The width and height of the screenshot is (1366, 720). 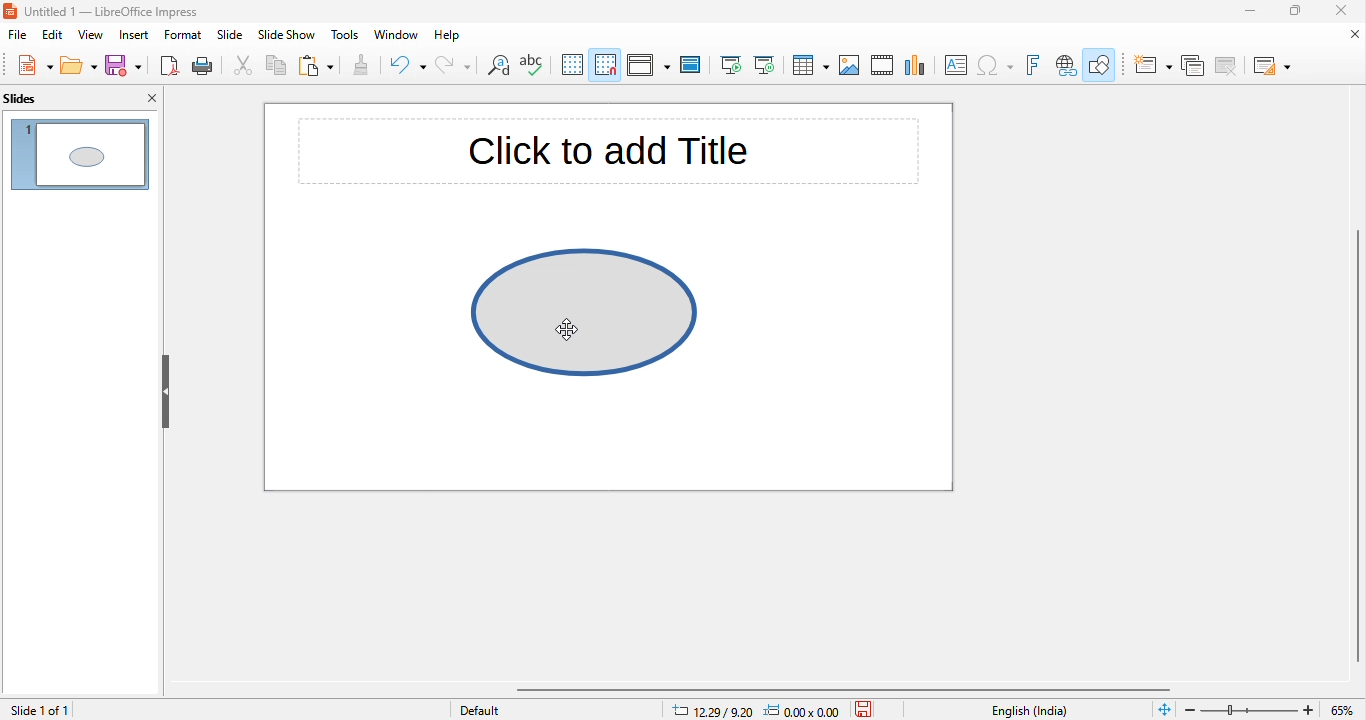 I want to click on text language, so click(x=1032, y=710).